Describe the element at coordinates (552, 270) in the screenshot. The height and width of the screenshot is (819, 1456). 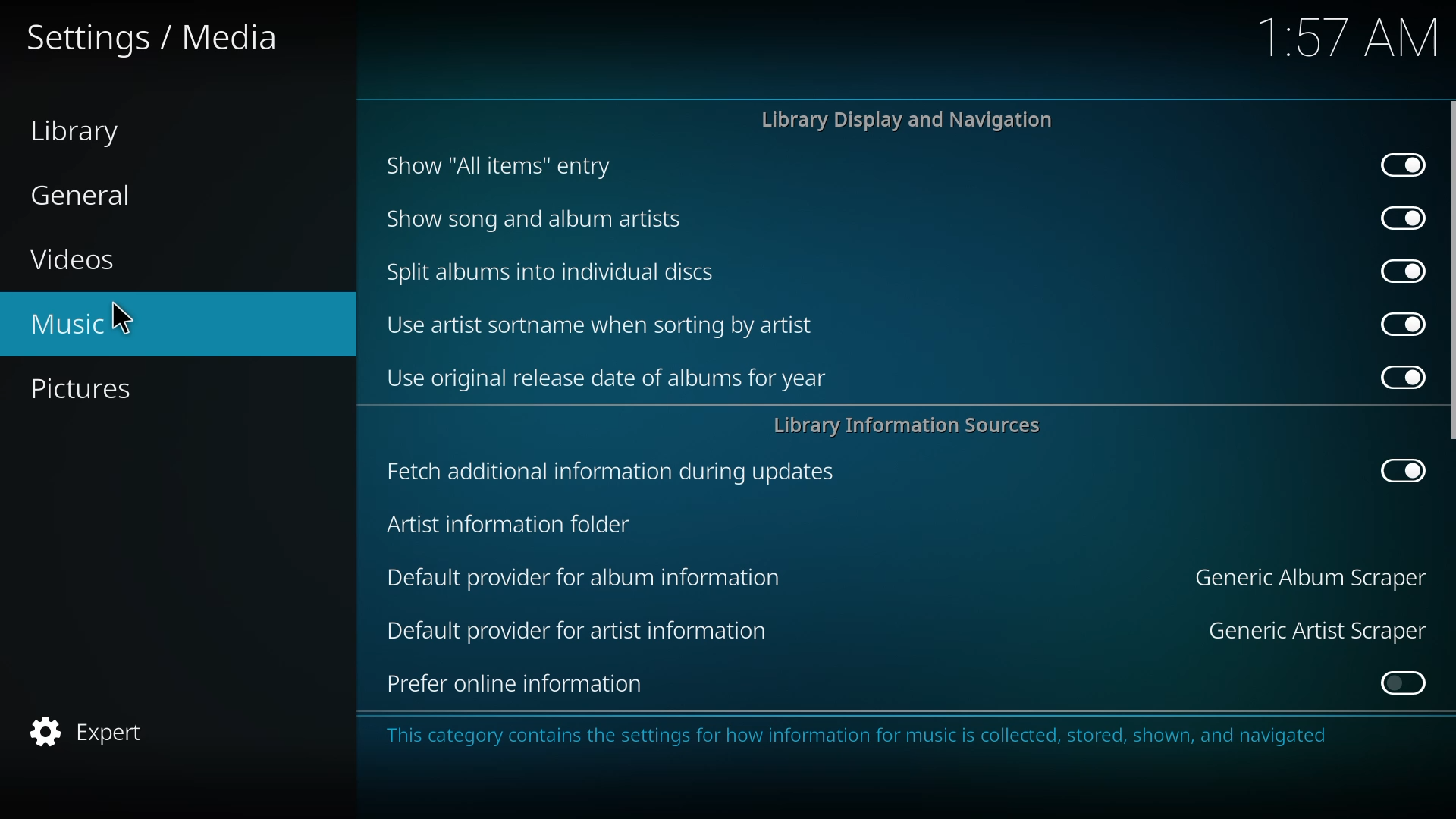
I see `split albums into discs` at that location.